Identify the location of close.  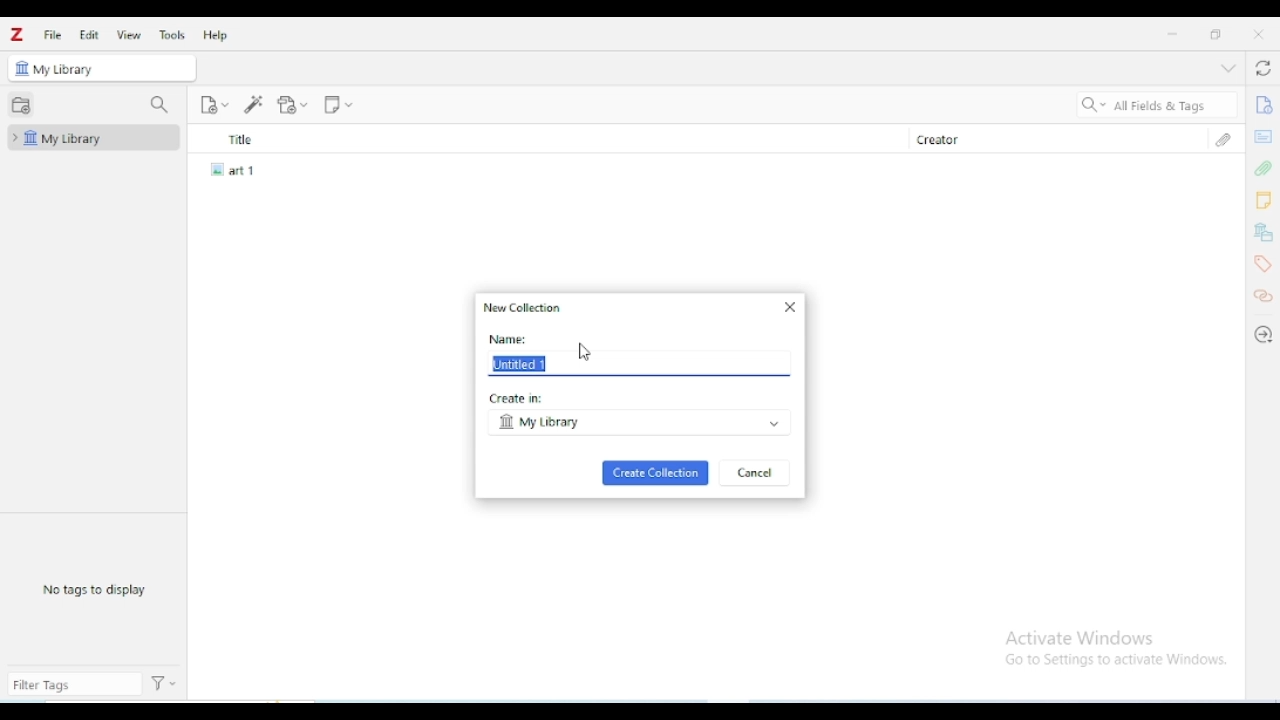
(790, 306).